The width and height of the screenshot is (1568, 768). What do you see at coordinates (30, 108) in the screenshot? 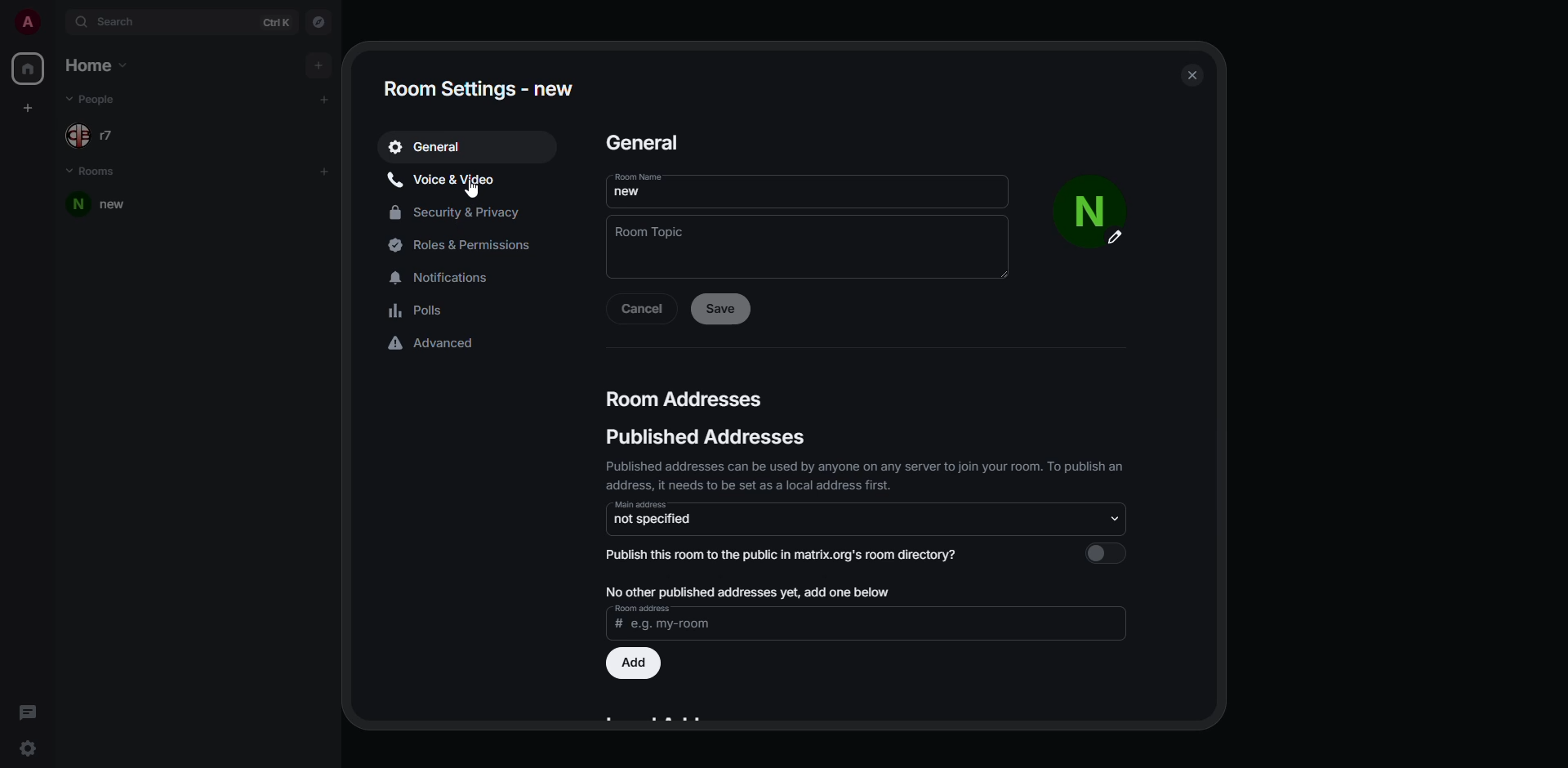
I see `create space` at bounding box center [30, 108].